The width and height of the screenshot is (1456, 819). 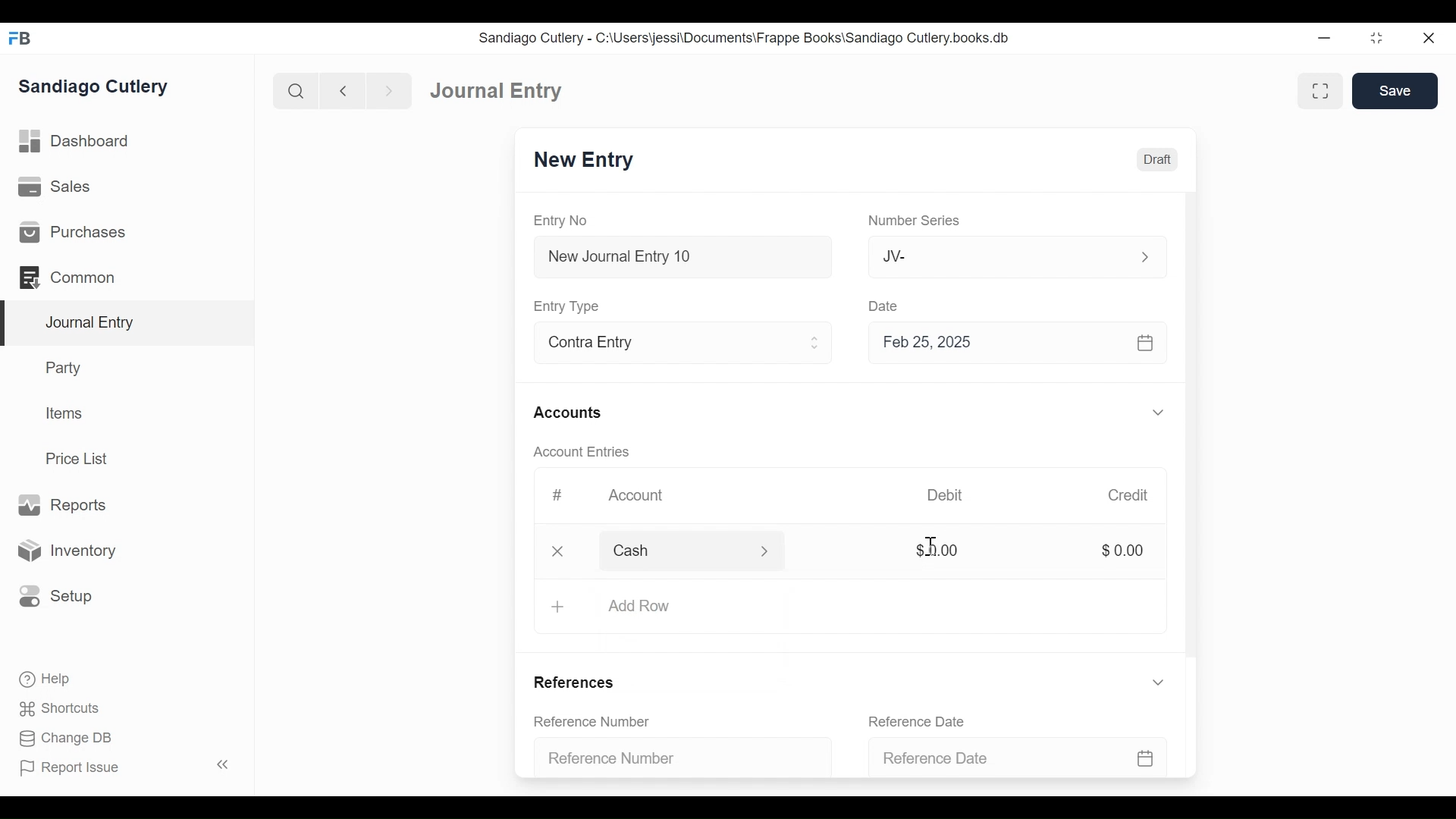 I want to click on Accounts, so click(x=570, y=413).